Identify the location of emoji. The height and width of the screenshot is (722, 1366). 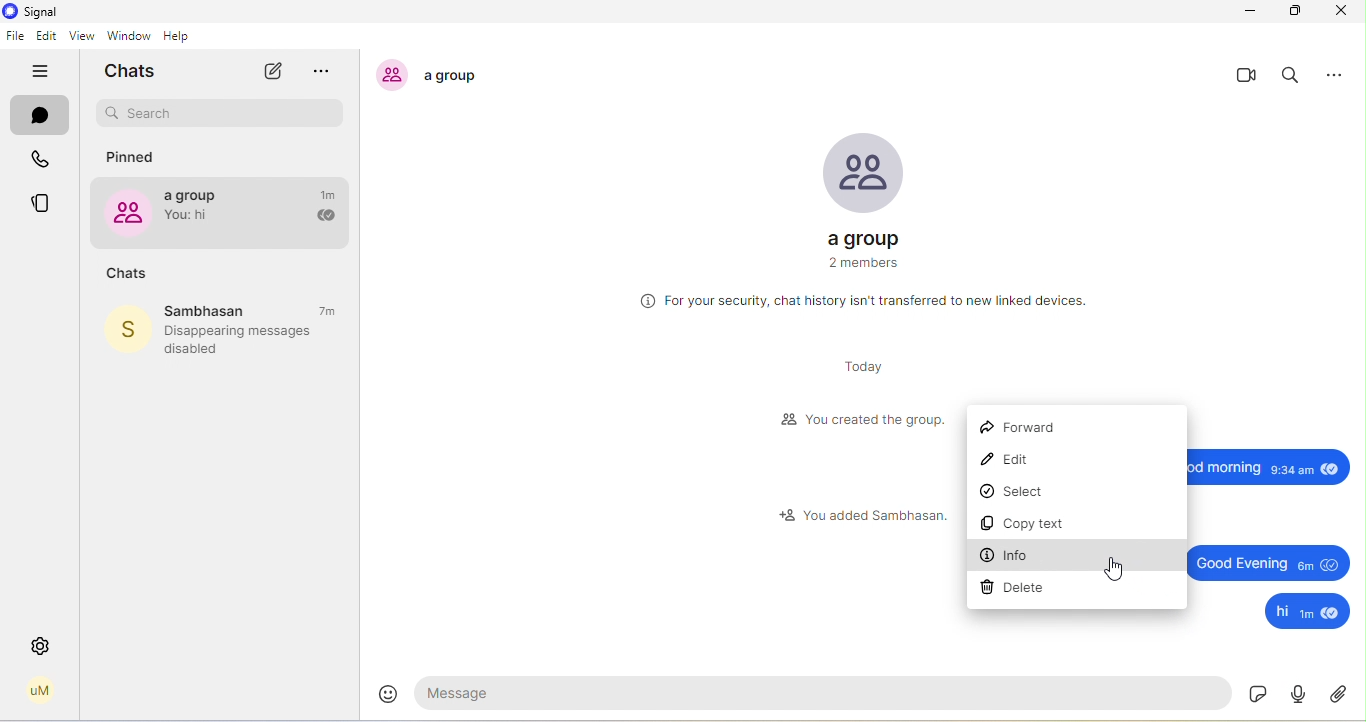
(389, 691).